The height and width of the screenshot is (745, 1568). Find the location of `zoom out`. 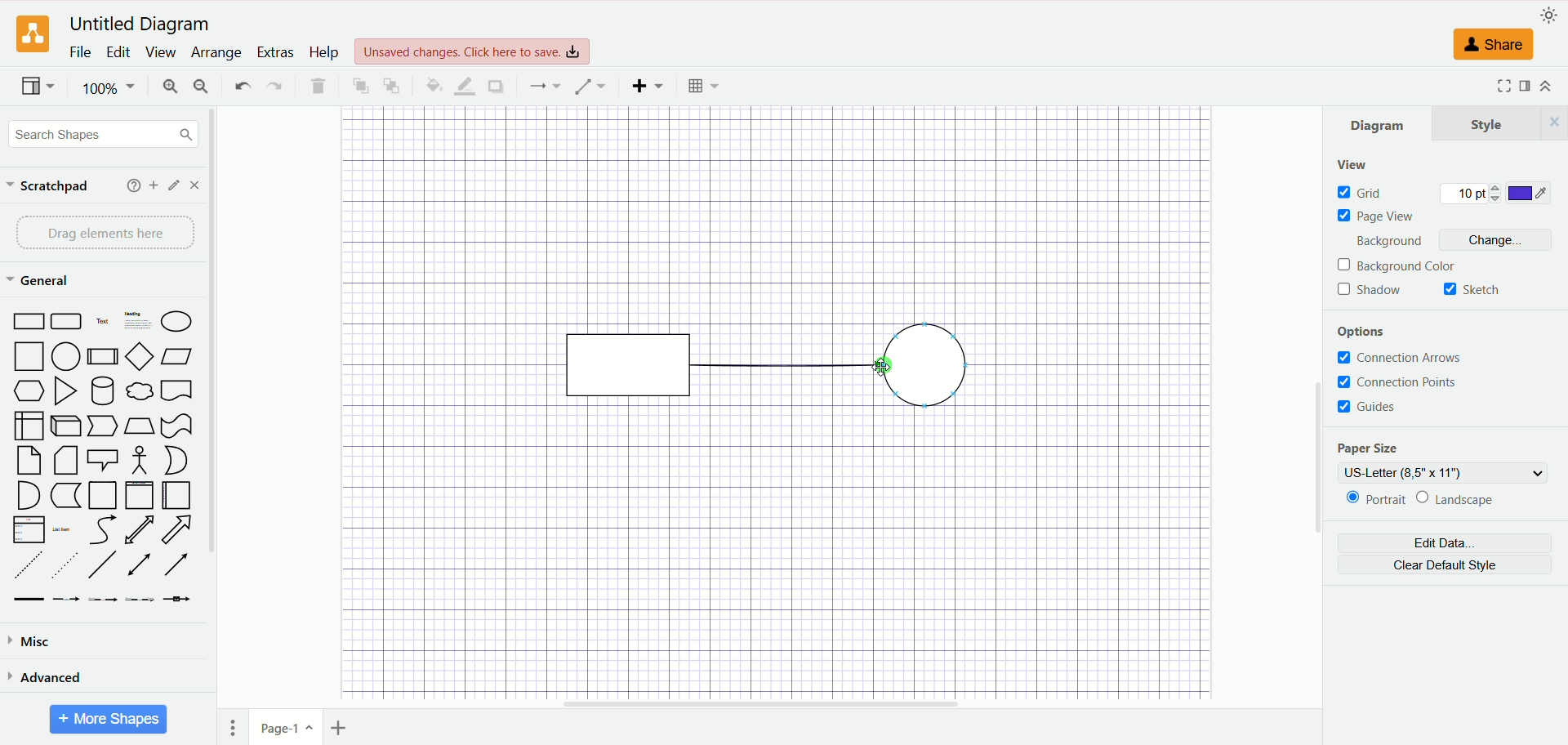

zoom out is located at coordinates (204, 86).